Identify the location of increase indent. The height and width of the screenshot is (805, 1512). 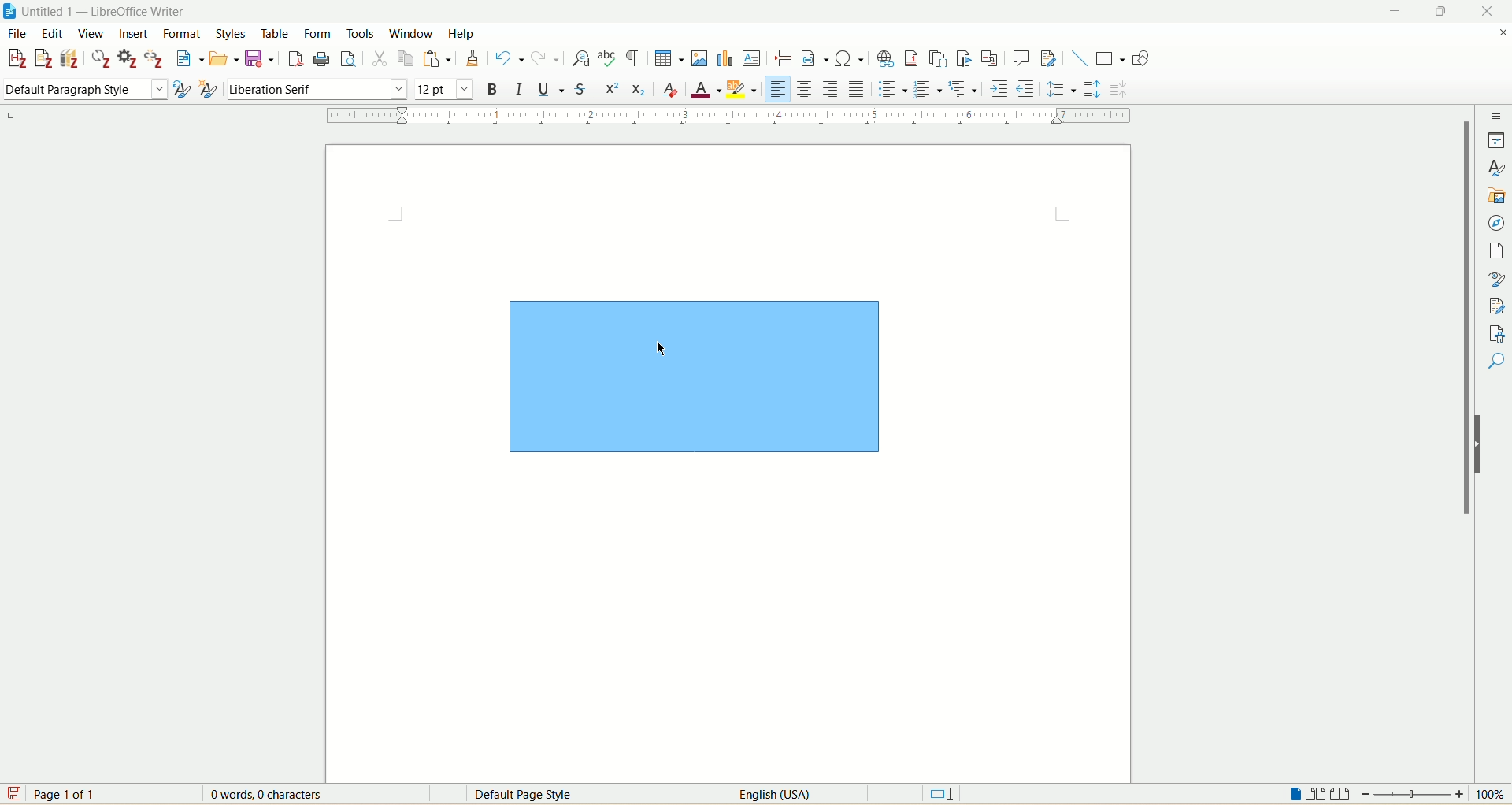
(999, 87).